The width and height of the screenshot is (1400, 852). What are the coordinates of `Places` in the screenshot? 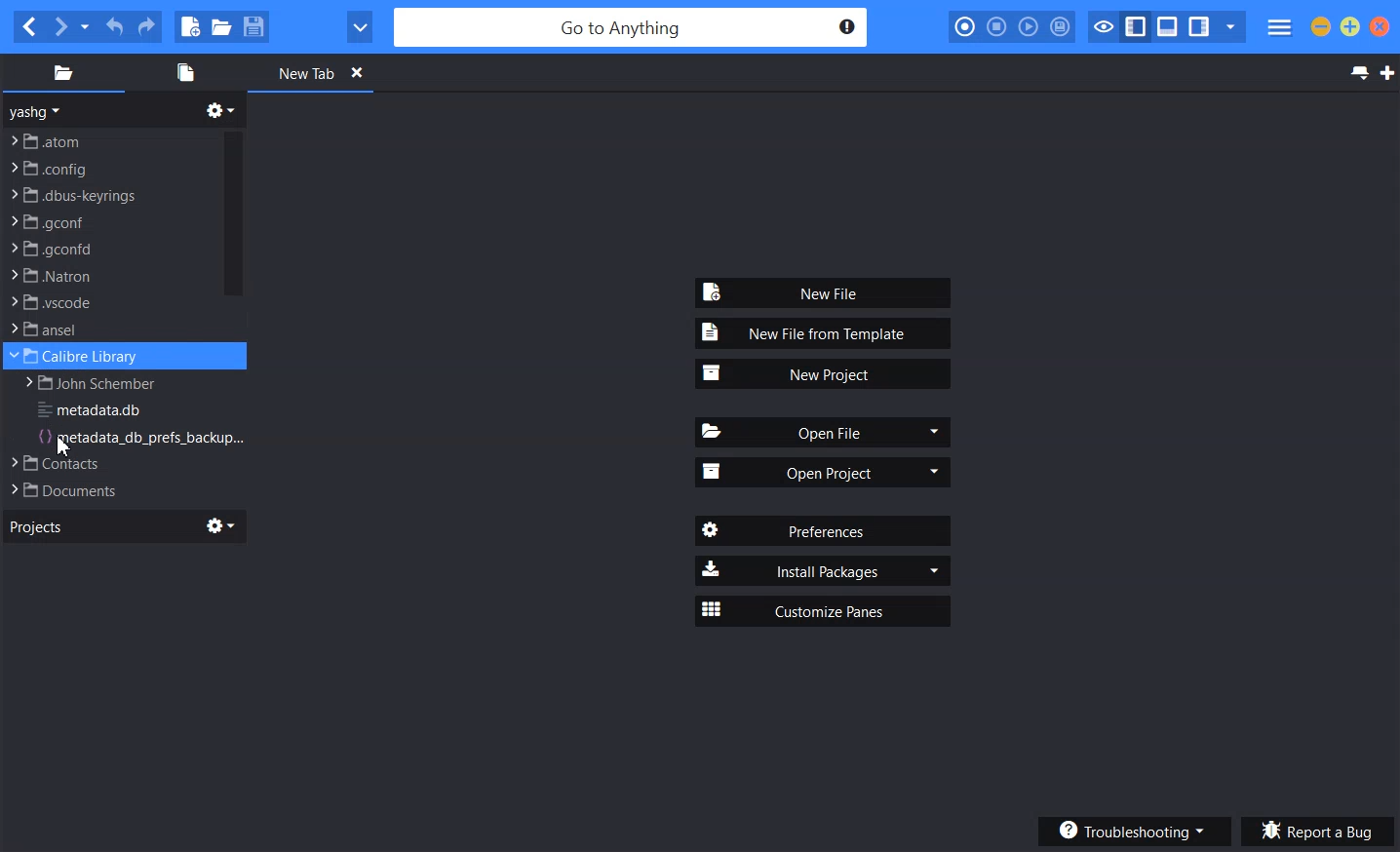 It's located at (62, 72).